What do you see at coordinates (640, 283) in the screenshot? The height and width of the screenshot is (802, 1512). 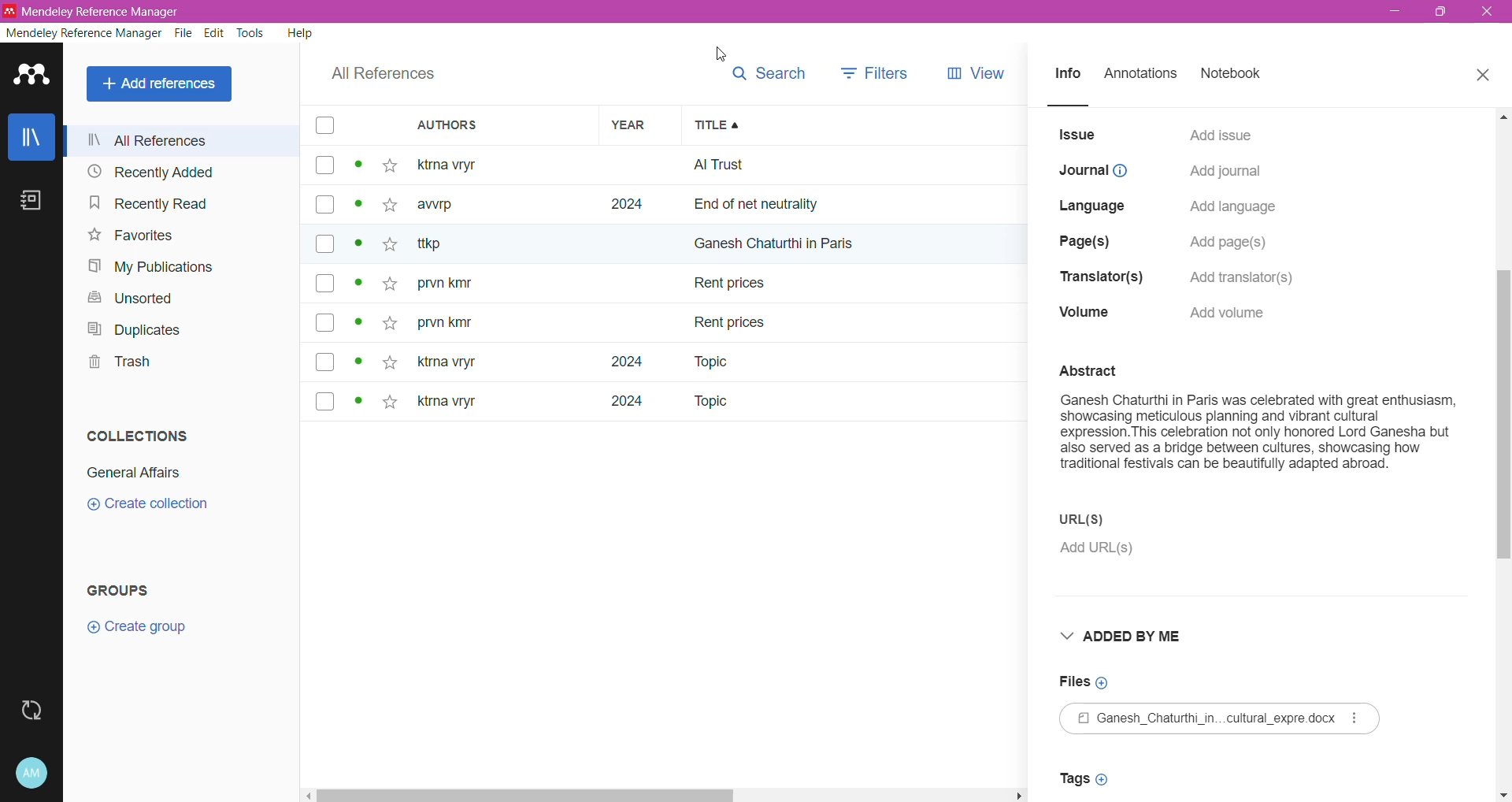 I see `Year of the references` at bounding box center [640, 283].